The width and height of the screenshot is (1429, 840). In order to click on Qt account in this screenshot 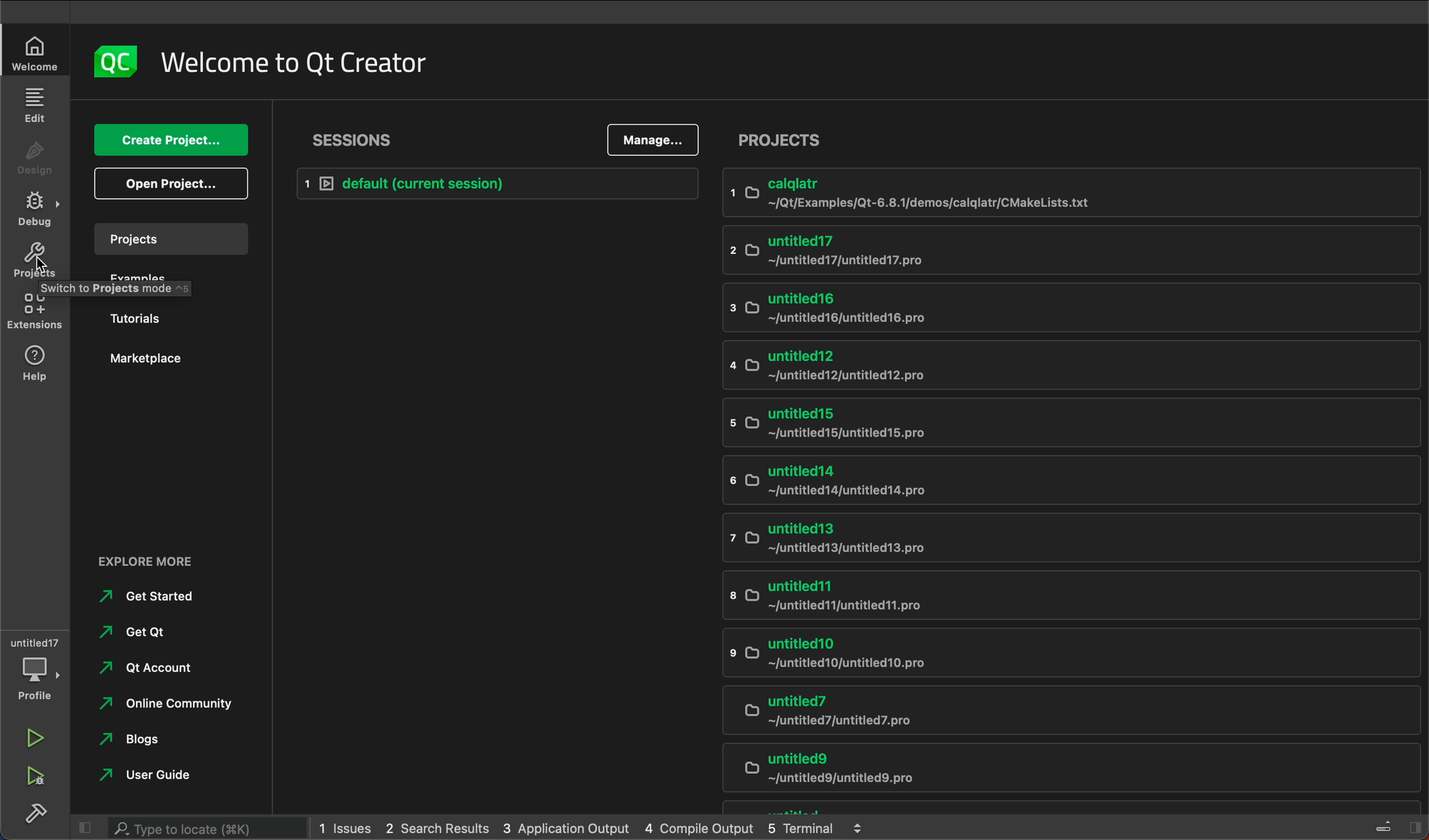, I will do `click(156, 669)`.